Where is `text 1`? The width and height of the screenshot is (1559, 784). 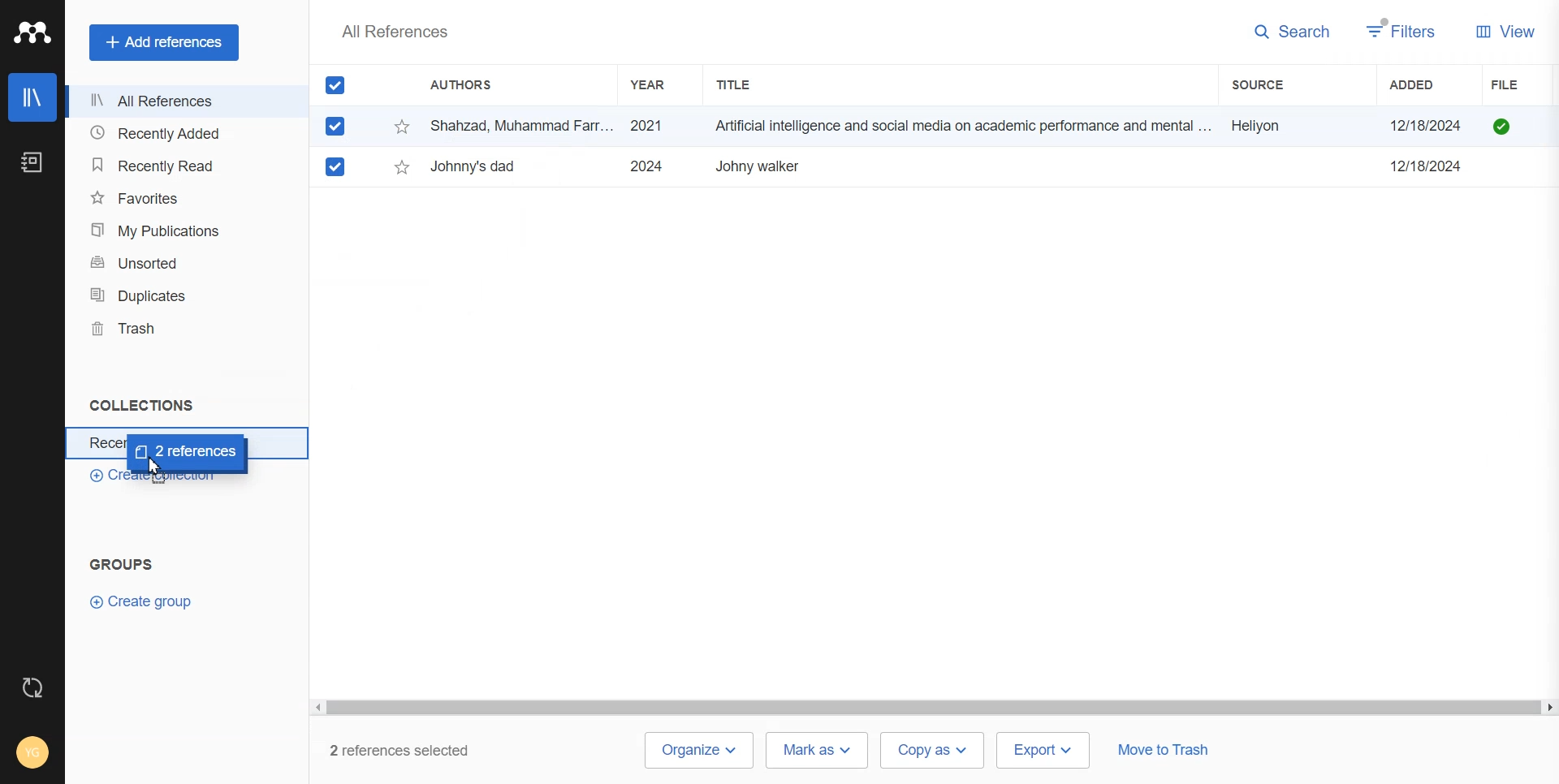
text 1 is located at coordinates (138, 405).